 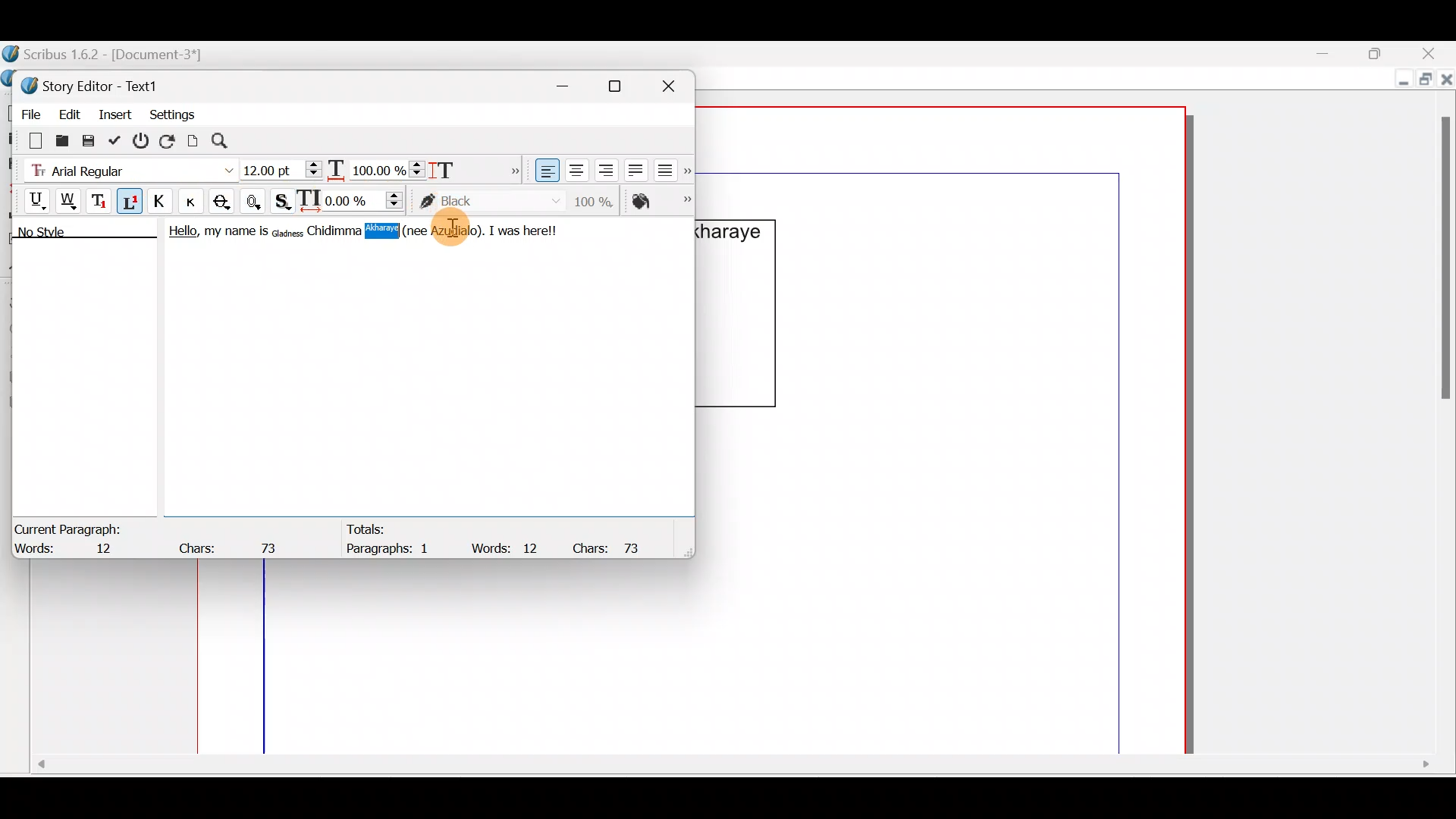 I want to click on Chars: 73, so click(x=232, y=544).